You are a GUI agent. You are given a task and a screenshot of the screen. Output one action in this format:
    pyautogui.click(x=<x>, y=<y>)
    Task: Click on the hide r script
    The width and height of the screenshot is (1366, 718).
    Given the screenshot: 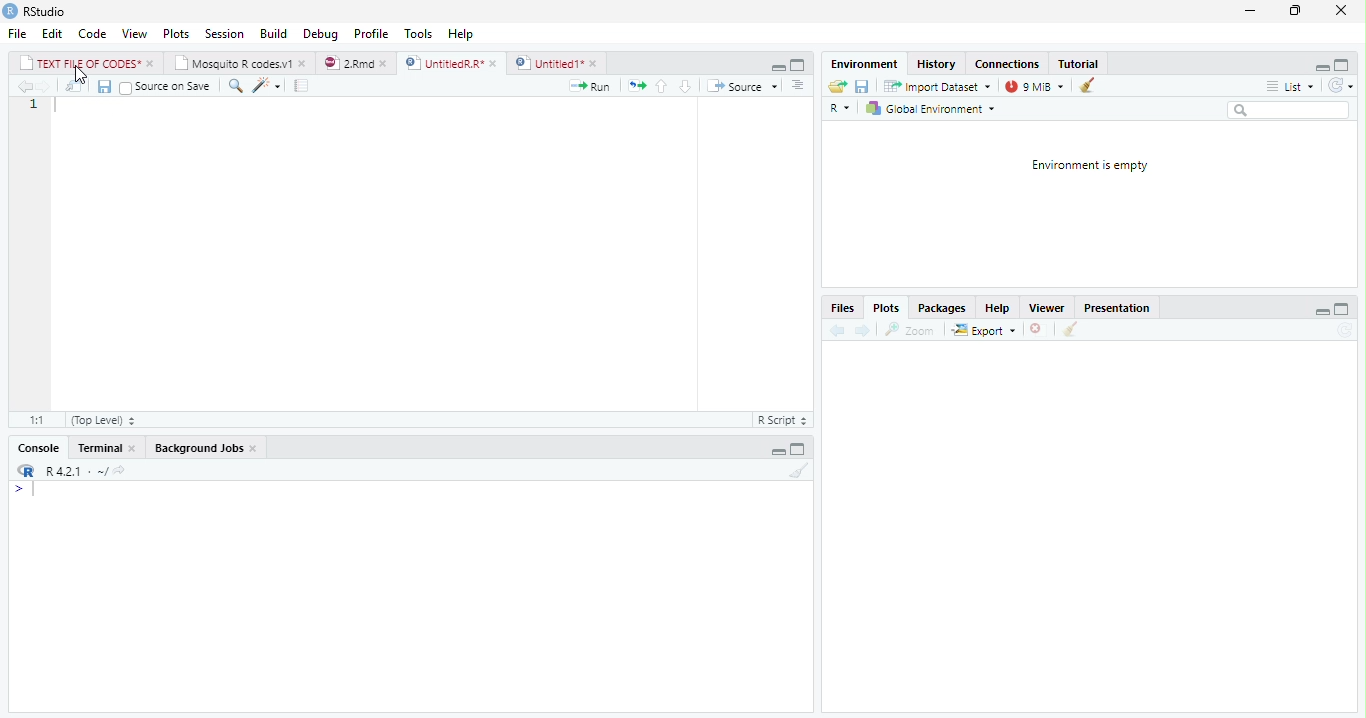 What is the action you would take?
    pyautogui.click(x=775, y=67)
    